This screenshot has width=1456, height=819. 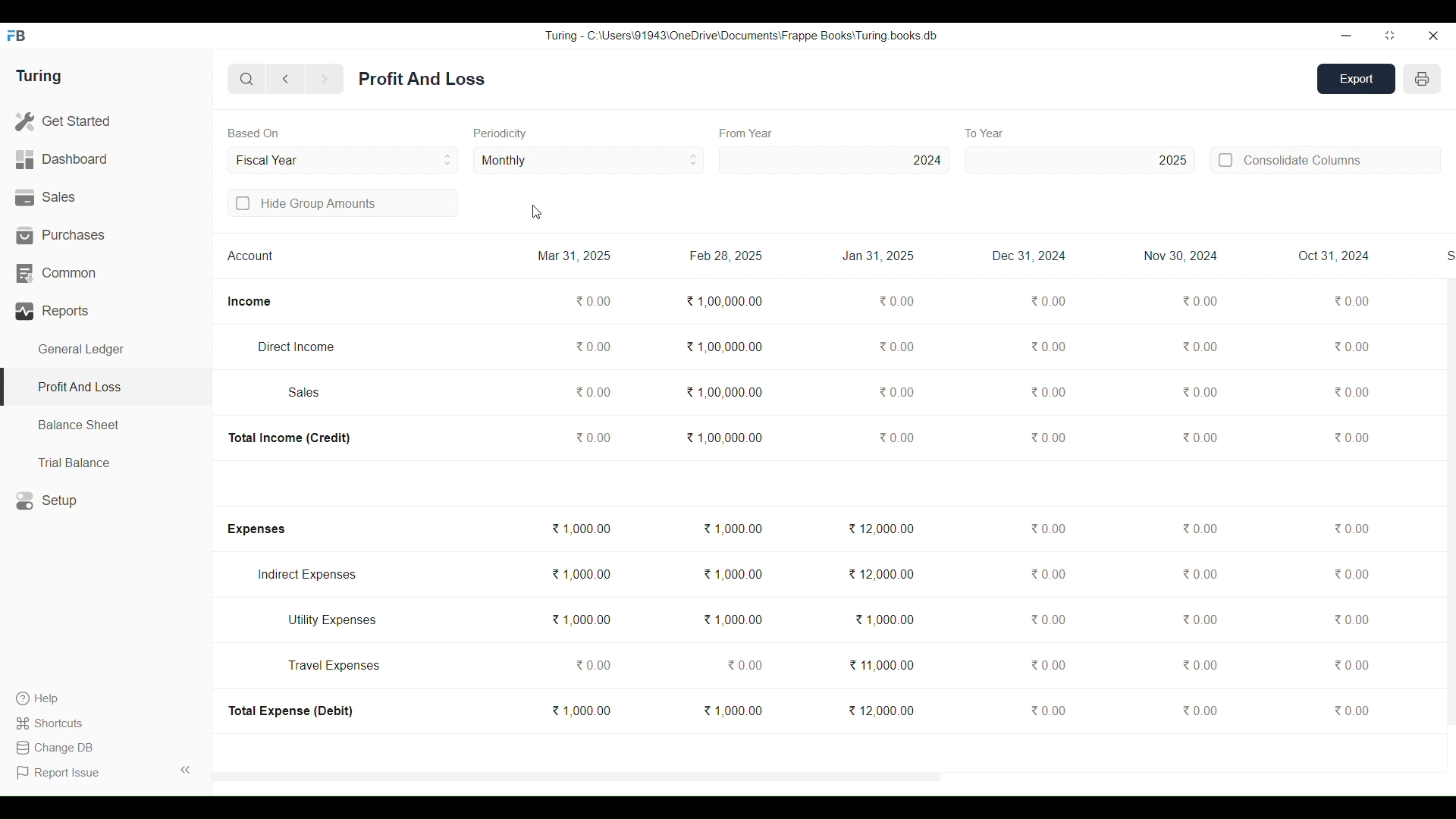 What do you see at coordinates (896, 438) in the screenshot?
I see `0.00` at bounding box center [896, 438].